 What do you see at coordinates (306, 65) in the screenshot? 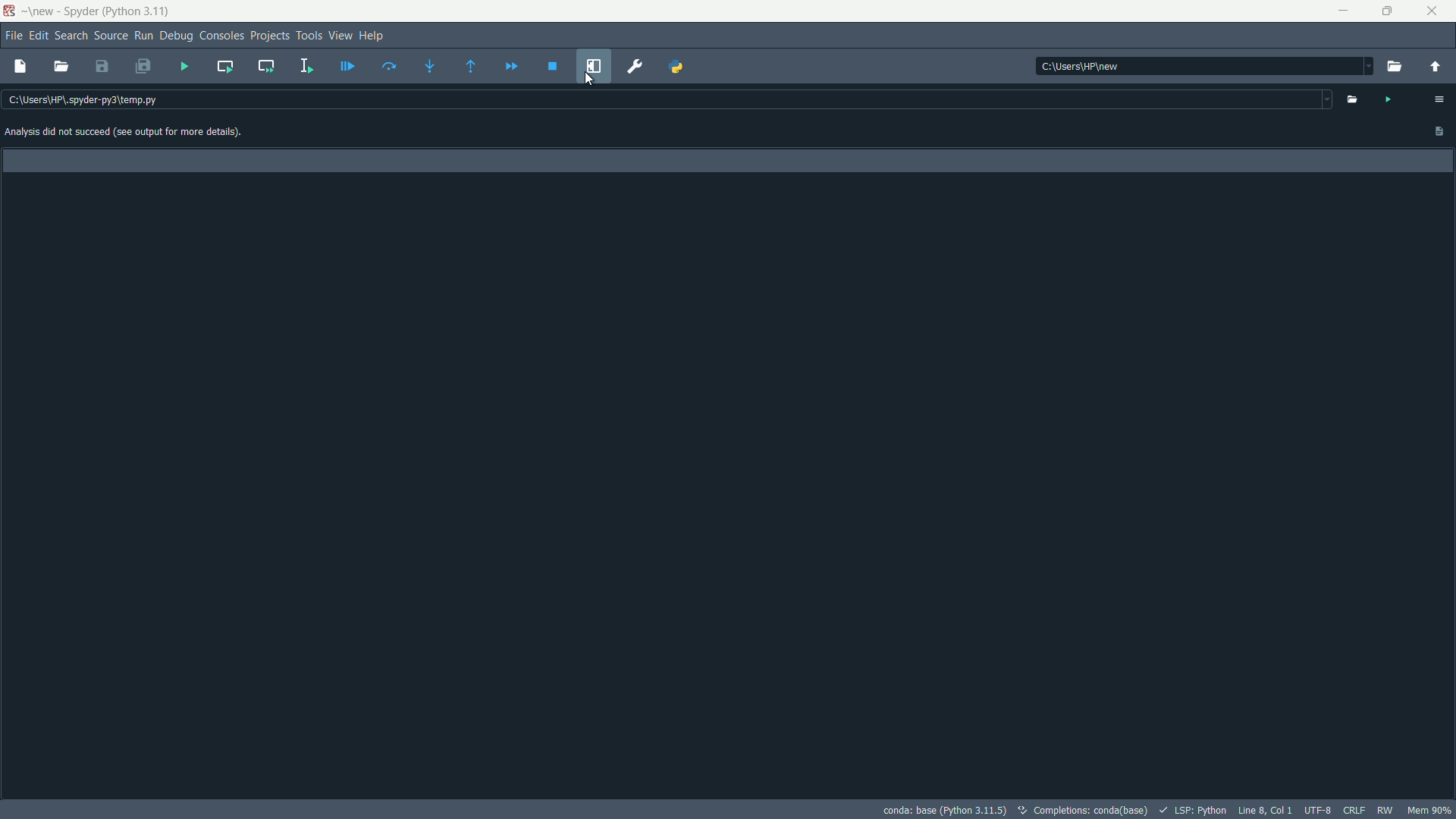
I see `run selection` at bounding box center [306, 65].